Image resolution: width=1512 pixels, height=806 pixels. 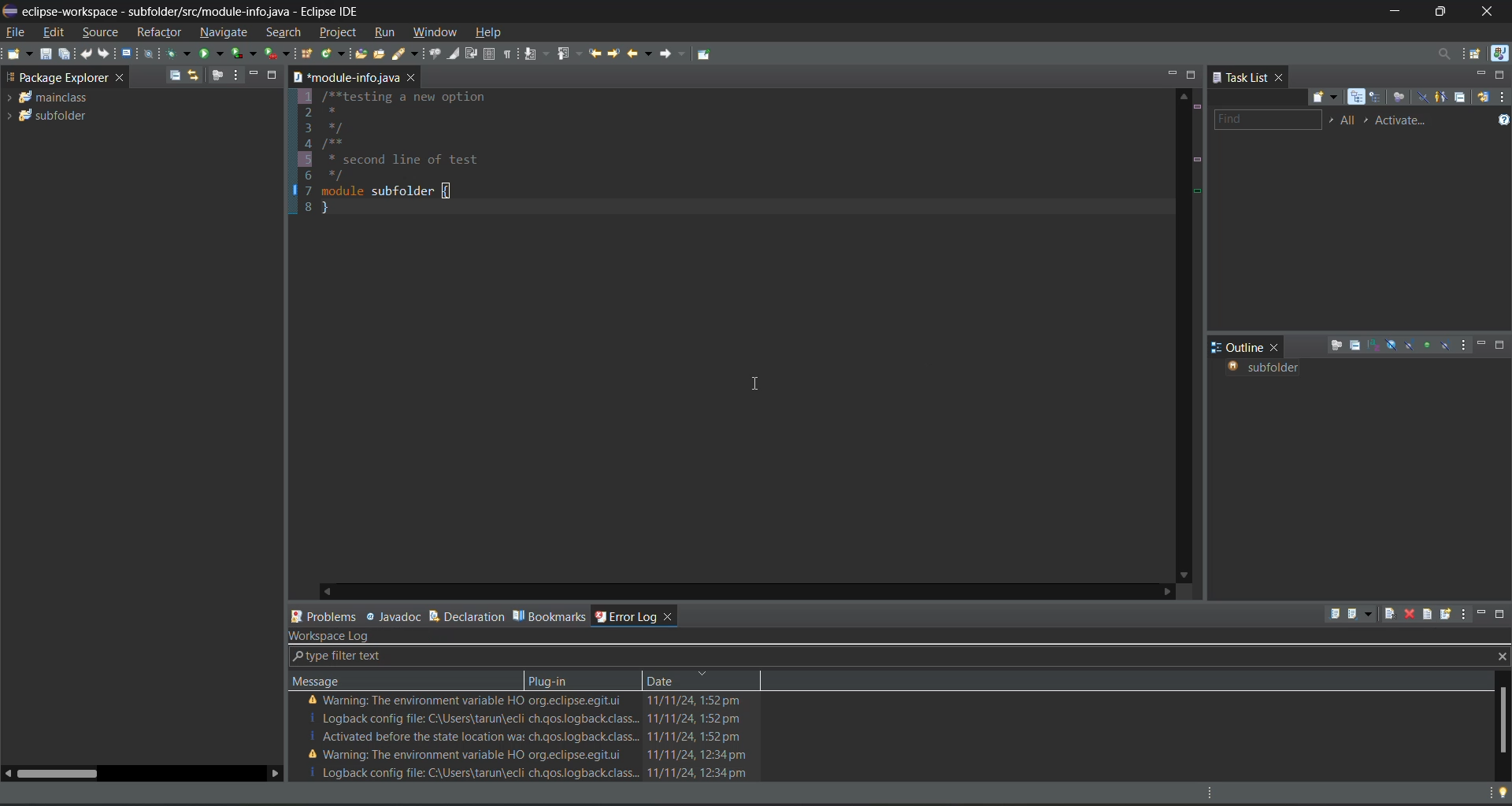 I want to click on error log, so click(x=655, y=612).